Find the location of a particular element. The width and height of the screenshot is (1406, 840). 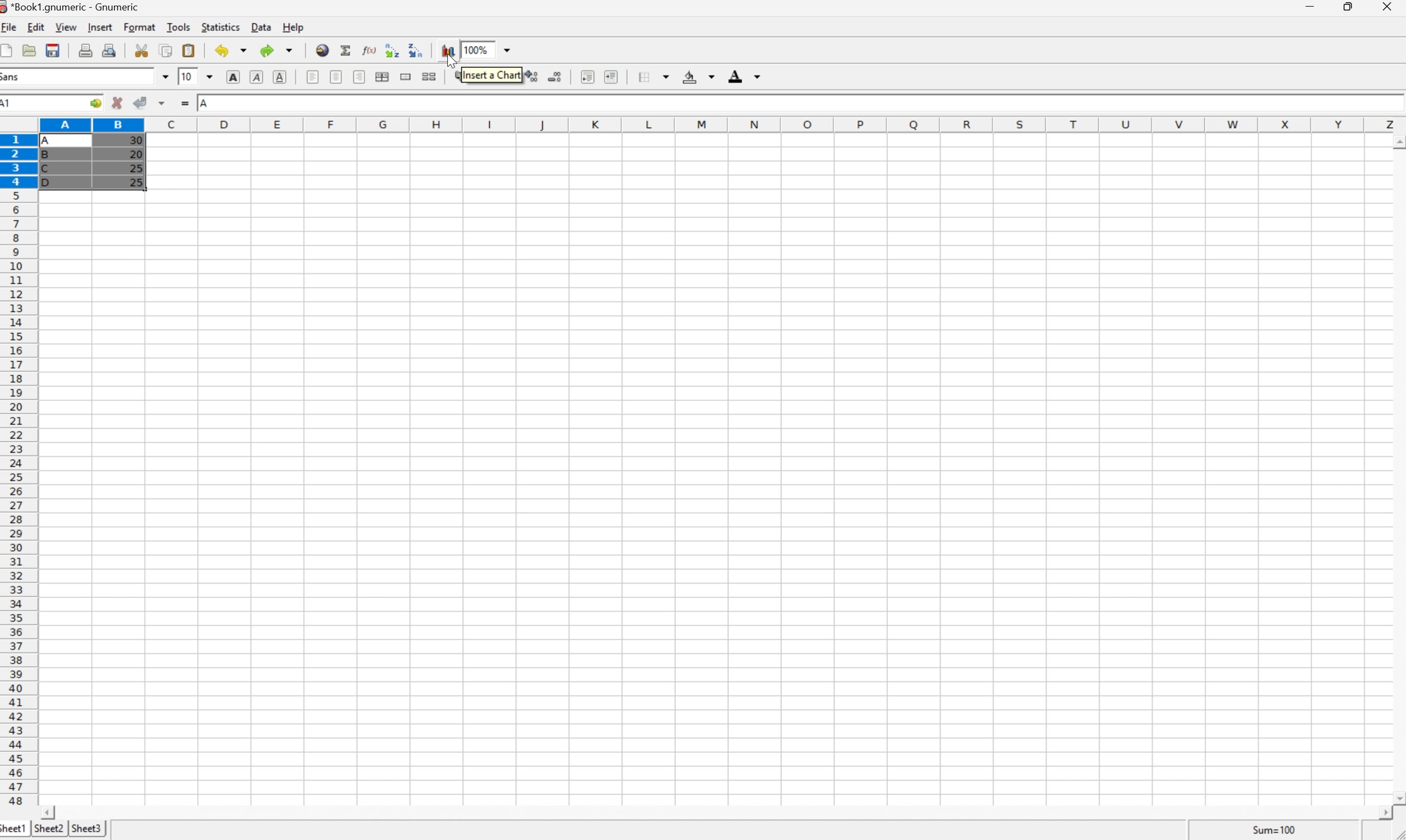

Underline is located at coordinates (279, 78).